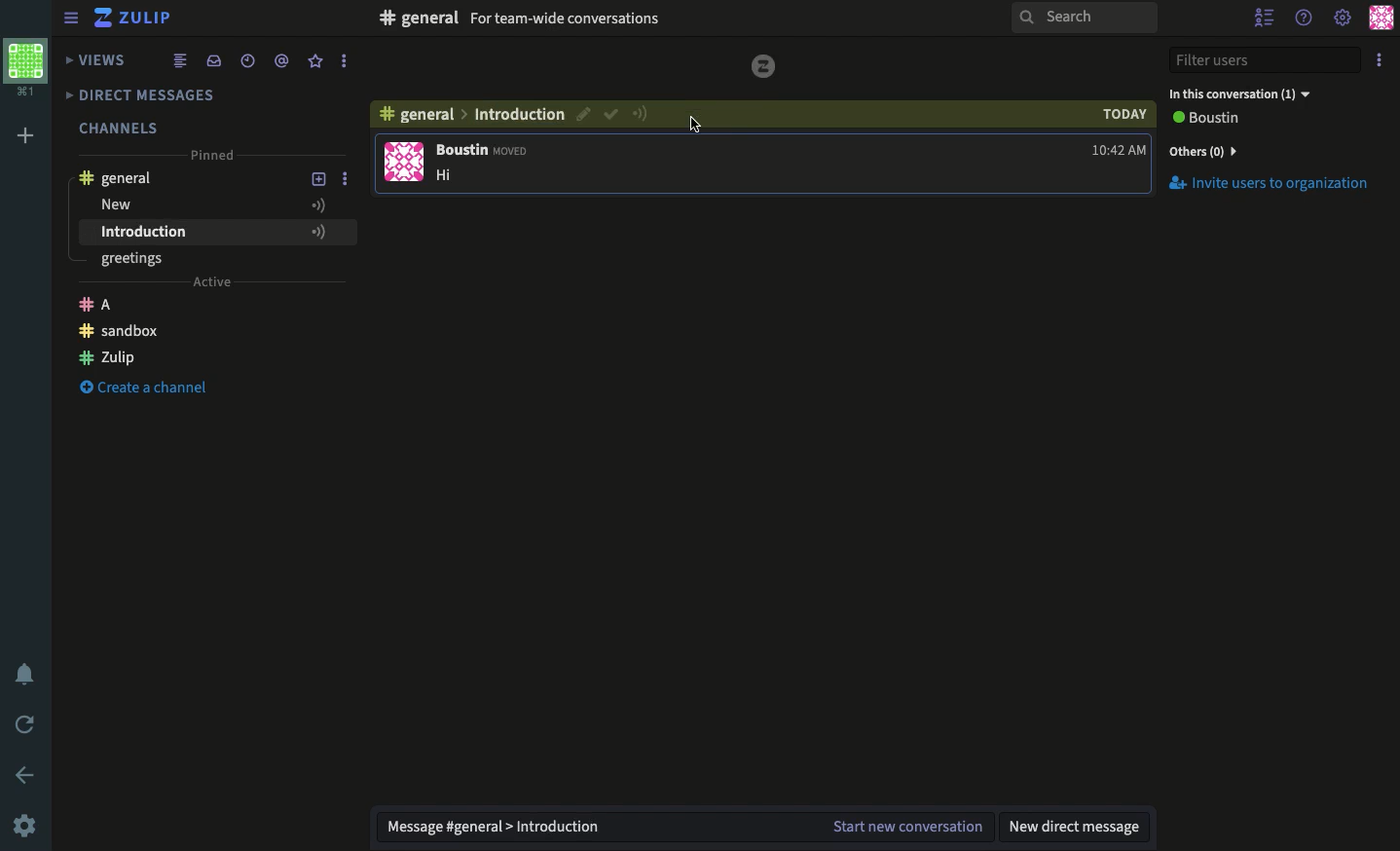 This screenshot has height=851, width=1400. I want to click on Help, so click(1306, 19).